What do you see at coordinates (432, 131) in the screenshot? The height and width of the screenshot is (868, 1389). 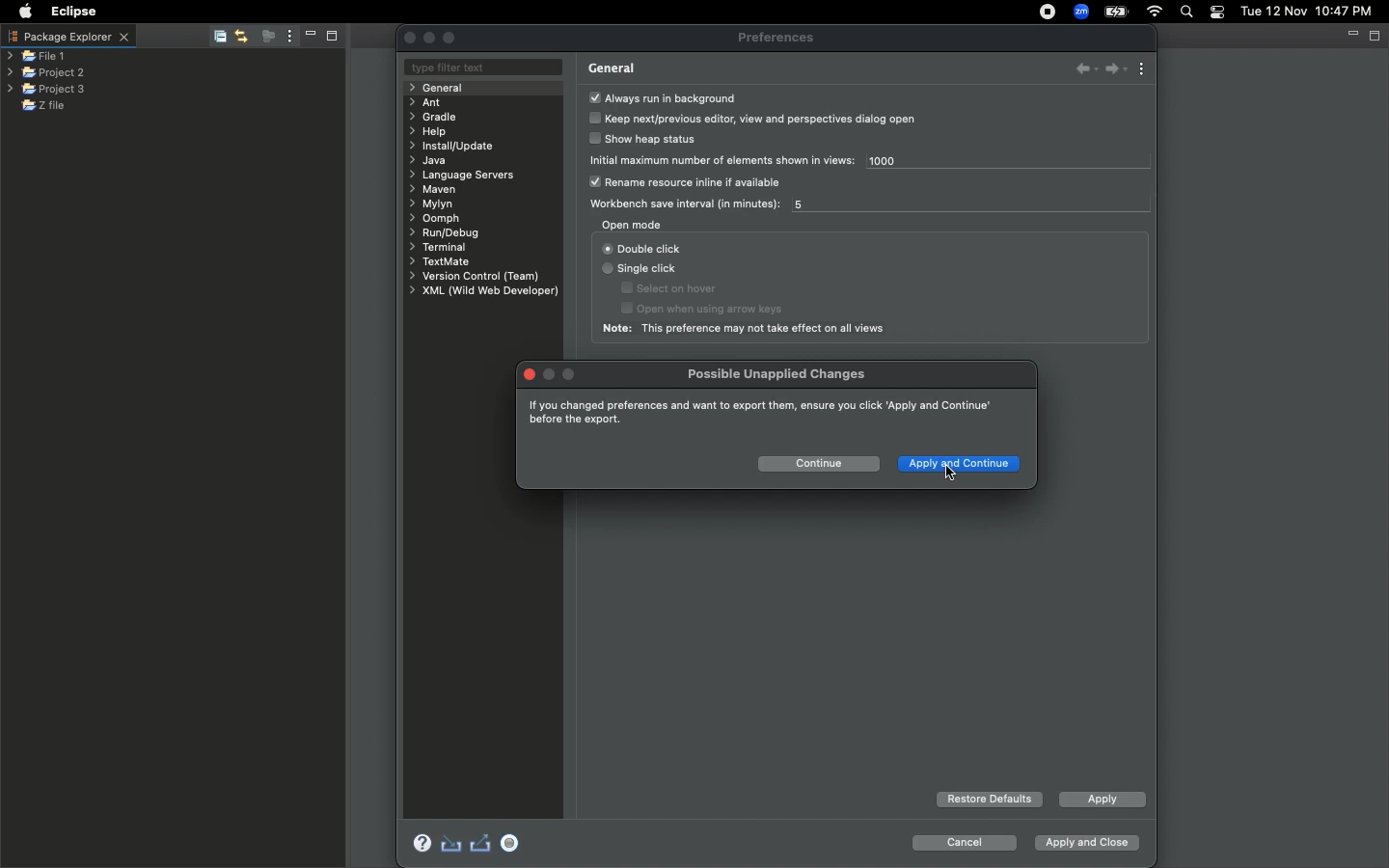 I see `Help` at bounding box center [432, 131].